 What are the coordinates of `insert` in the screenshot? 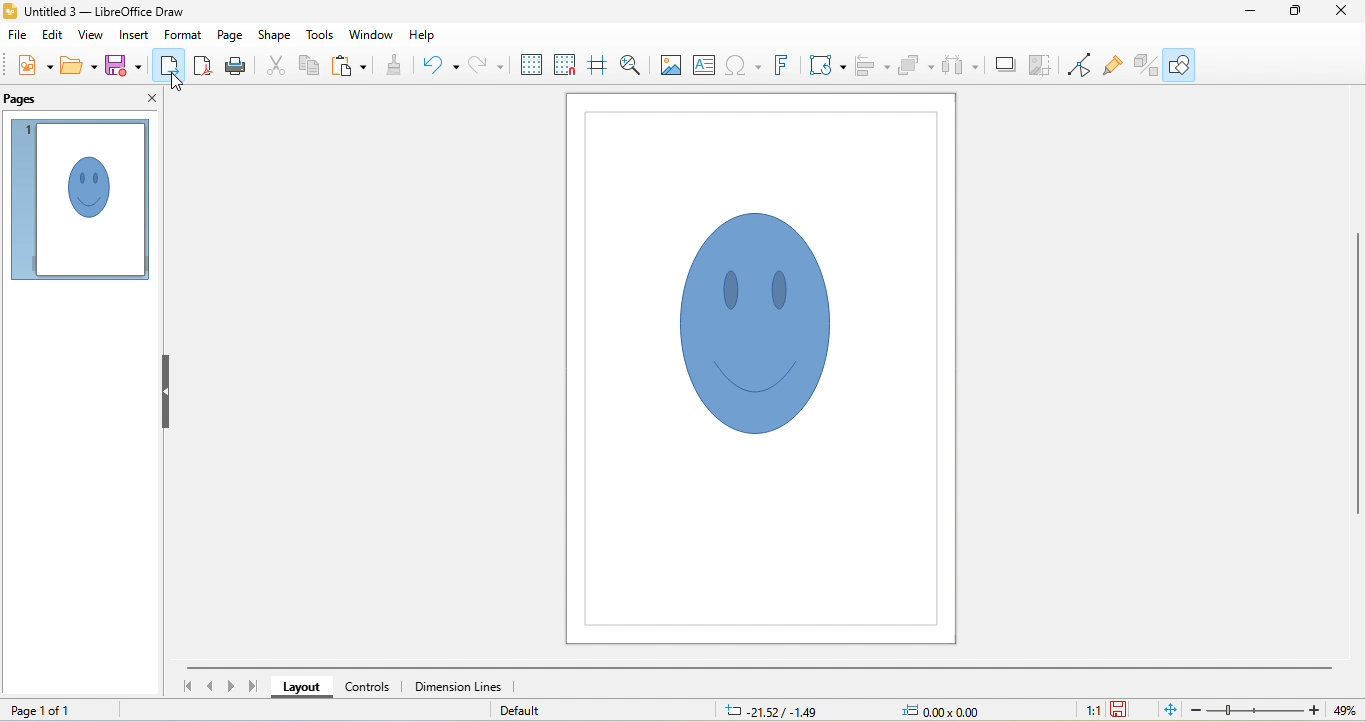 It's located at (130, 36).